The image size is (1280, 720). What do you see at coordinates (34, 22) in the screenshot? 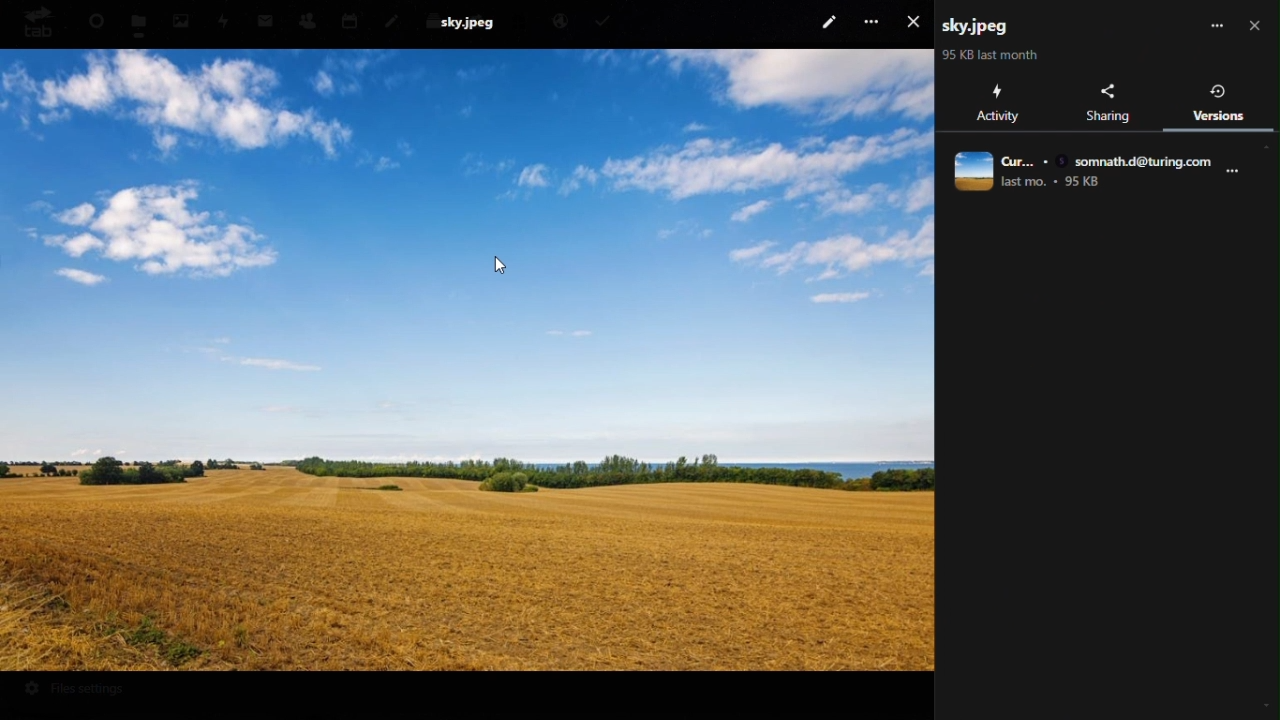
I see `tab` at bounding box center [34, 22].